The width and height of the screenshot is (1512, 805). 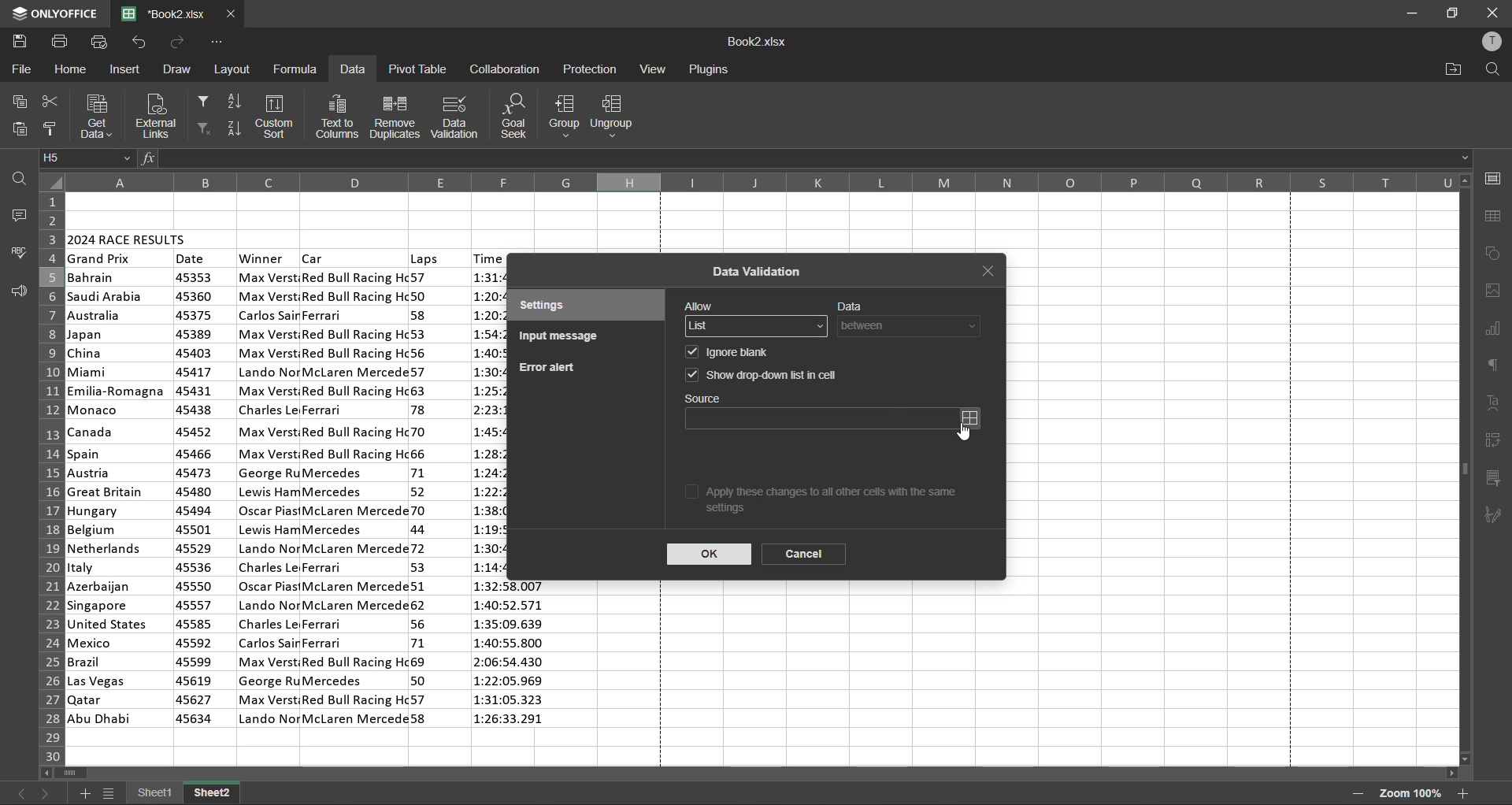 I want to click on zoom factor, so click(x=1406, y=795).